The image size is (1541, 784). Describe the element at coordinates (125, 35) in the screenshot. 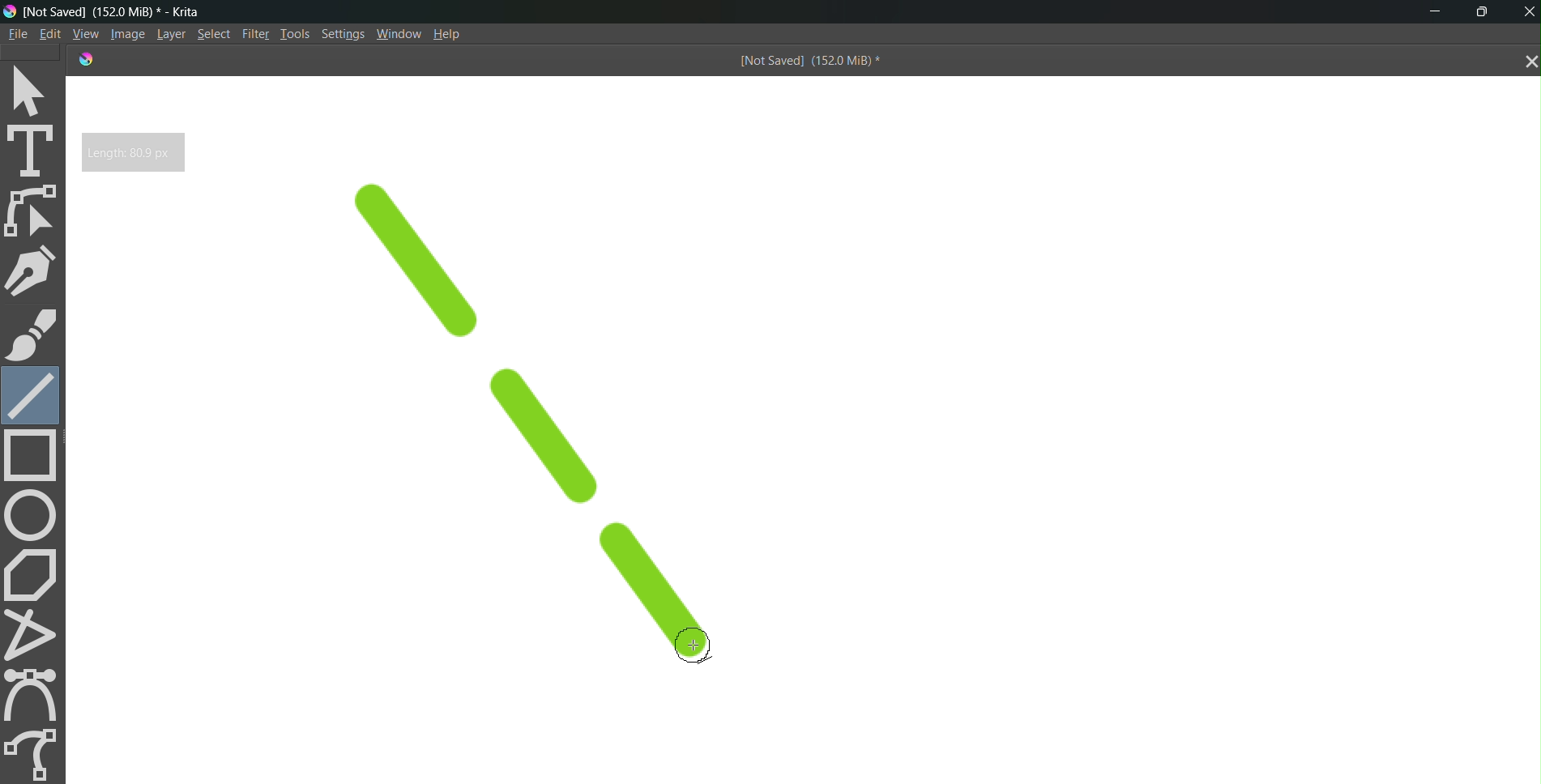

I see `Image` at that location.